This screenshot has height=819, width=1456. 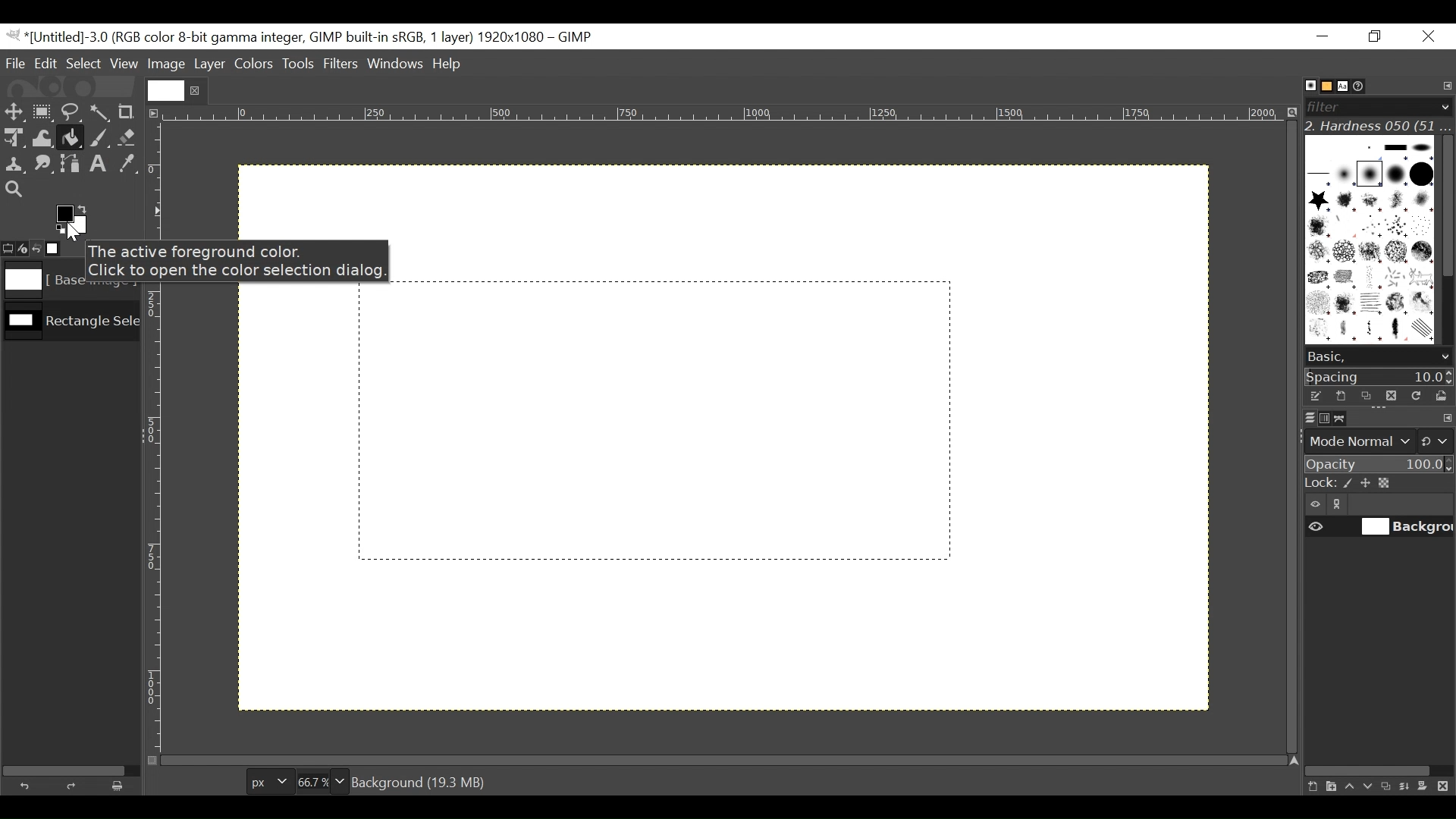 What do you see at coordinates (1378, 484) in the screenshot?
I see `Lock` at bounding box center [1378, 484].